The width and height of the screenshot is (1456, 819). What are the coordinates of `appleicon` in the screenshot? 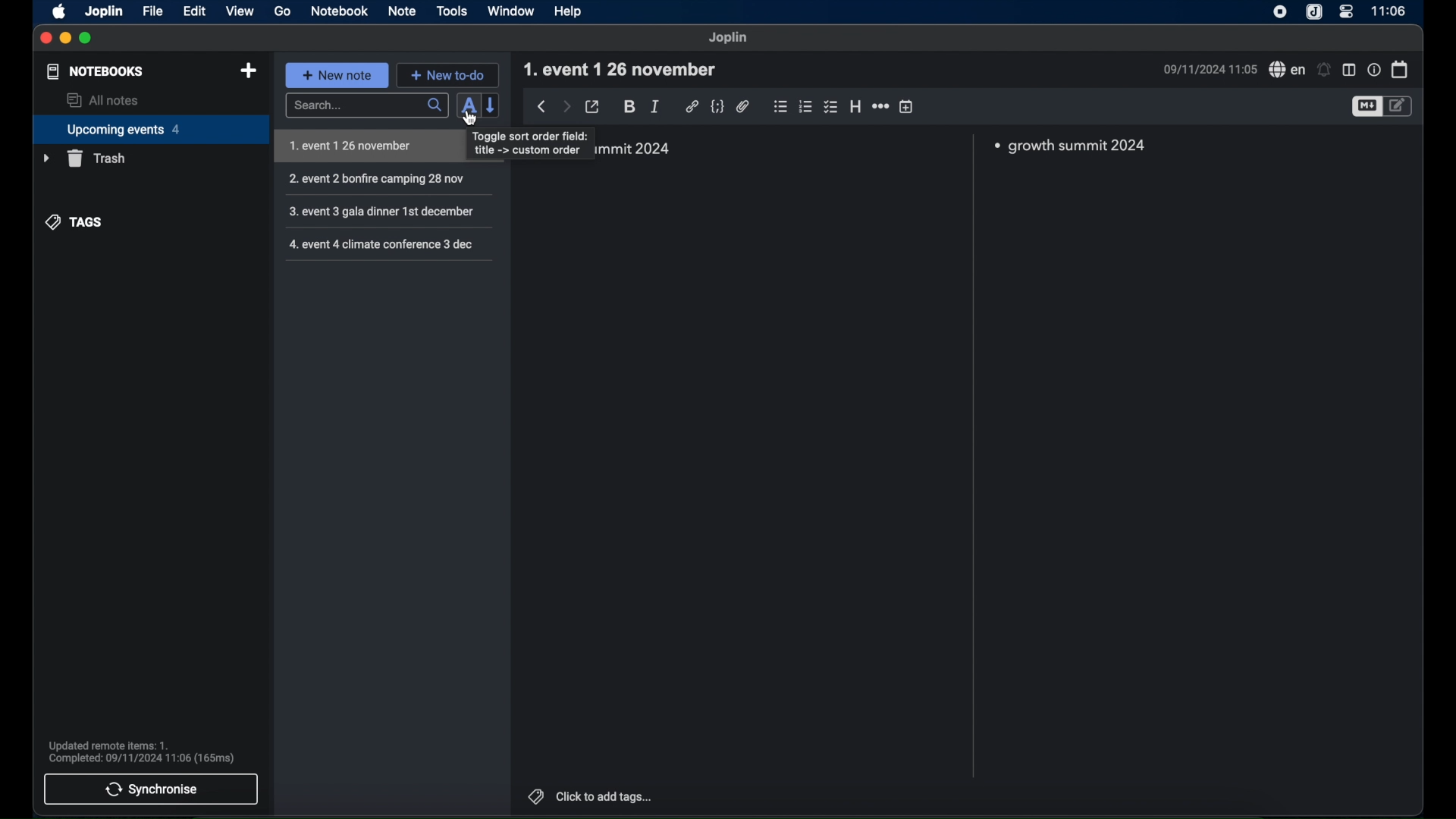 It's located at (60, 13).